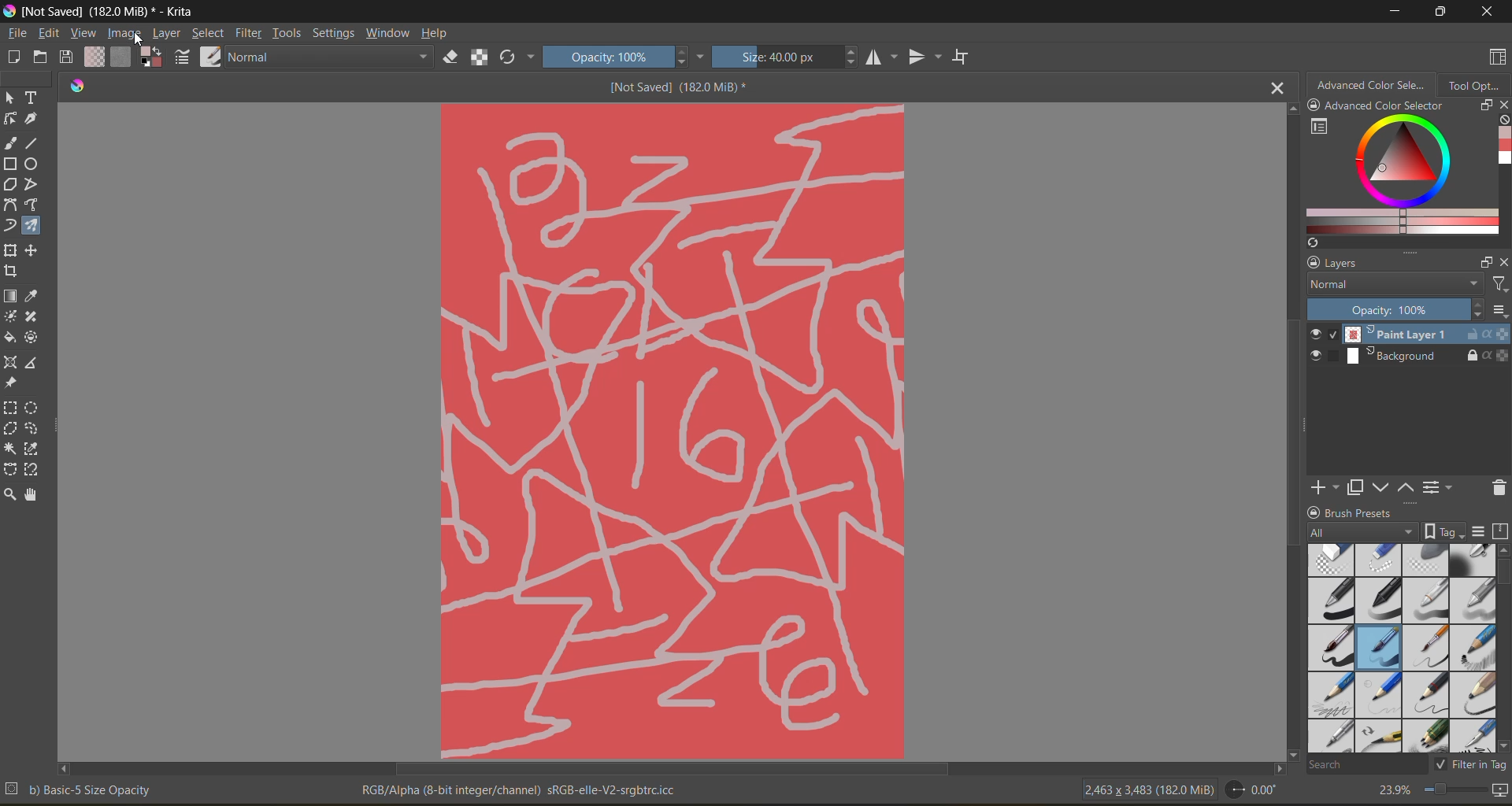  I want to click on preview, so click(1318, 346).